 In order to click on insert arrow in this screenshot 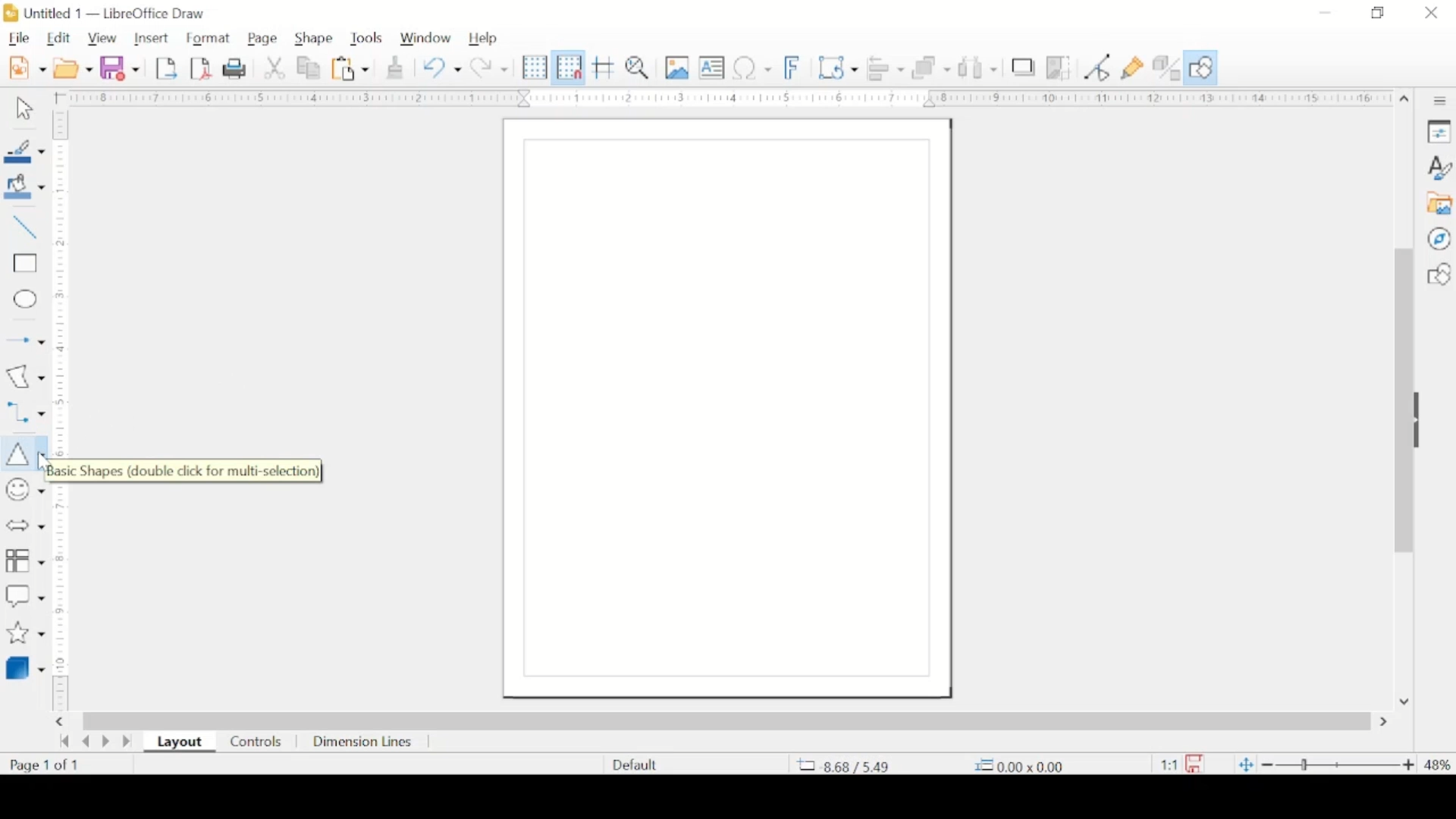, I will do `click(24, 338)`.